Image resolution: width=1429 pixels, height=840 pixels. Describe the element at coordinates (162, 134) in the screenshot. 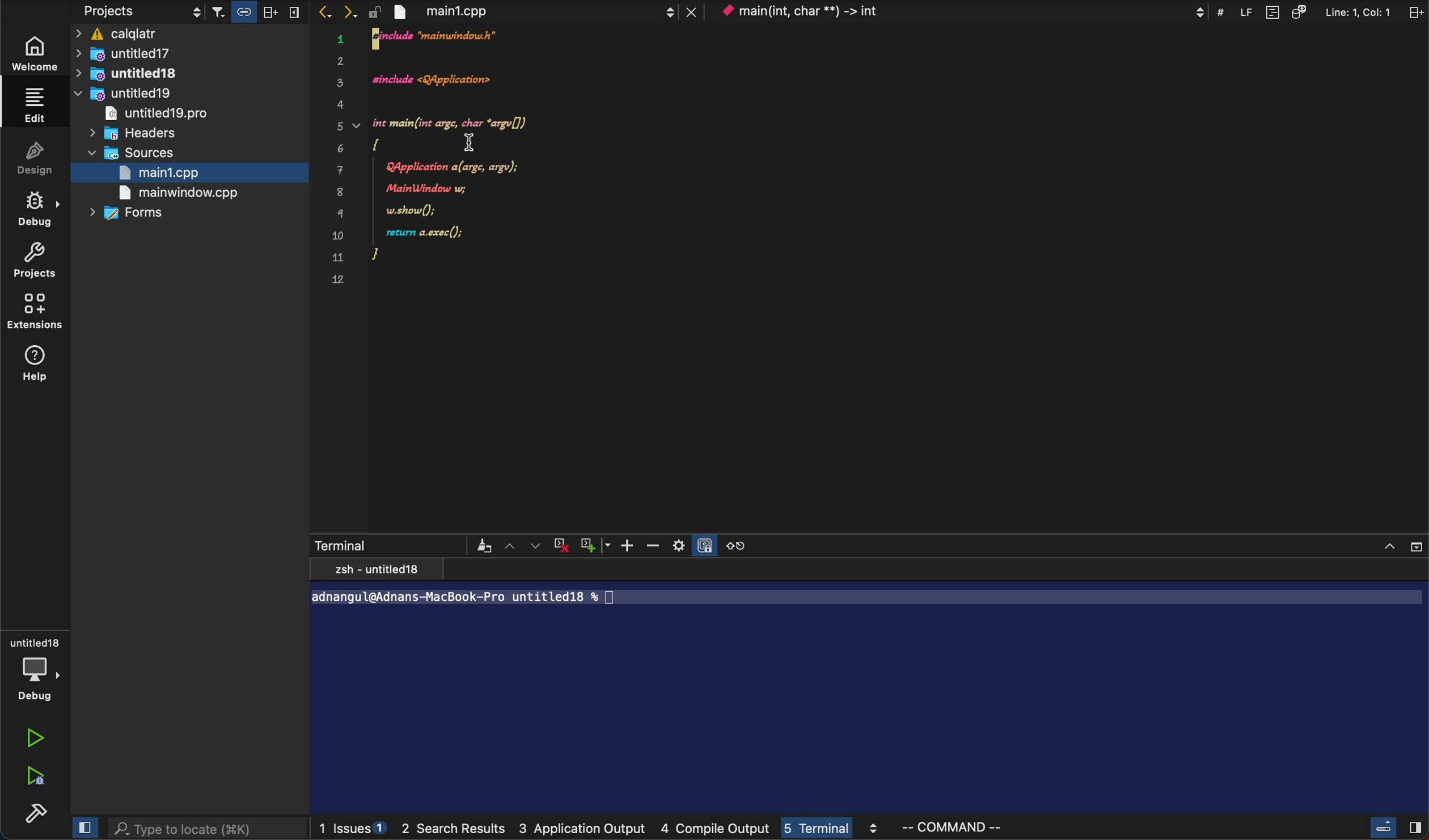

I see `headers` at that location.